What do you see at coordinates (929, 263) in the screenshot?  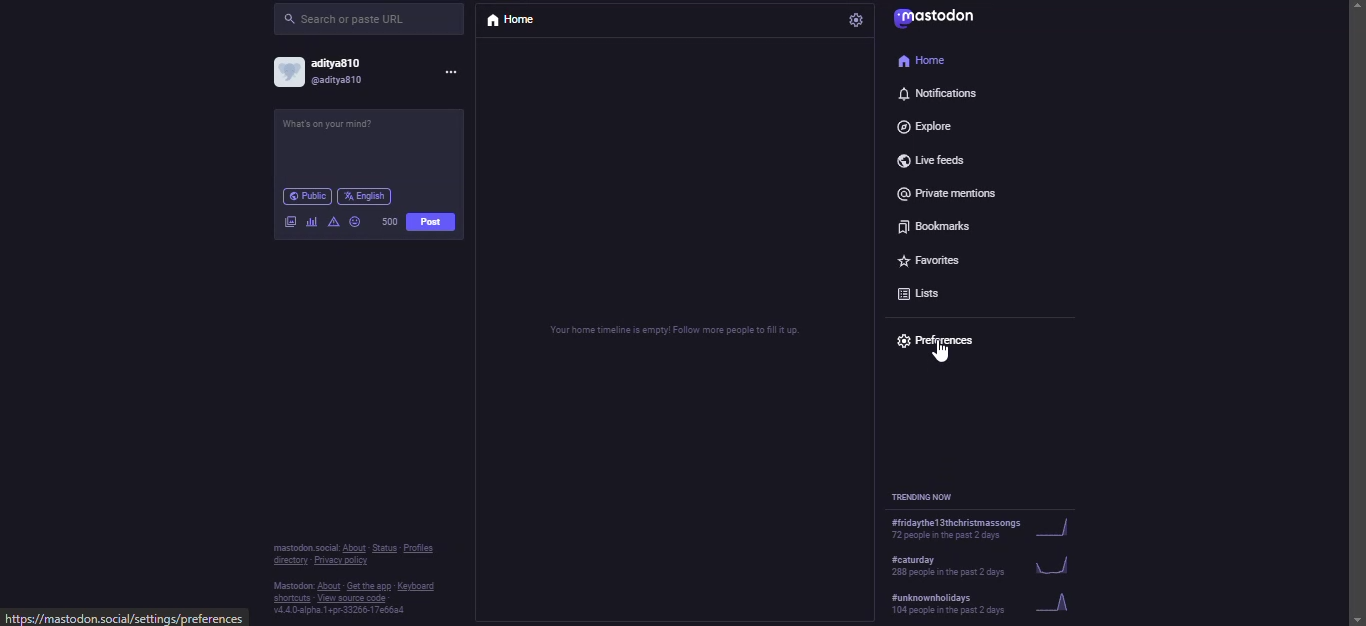 I see `favorites` at bounding box center [929, 263].